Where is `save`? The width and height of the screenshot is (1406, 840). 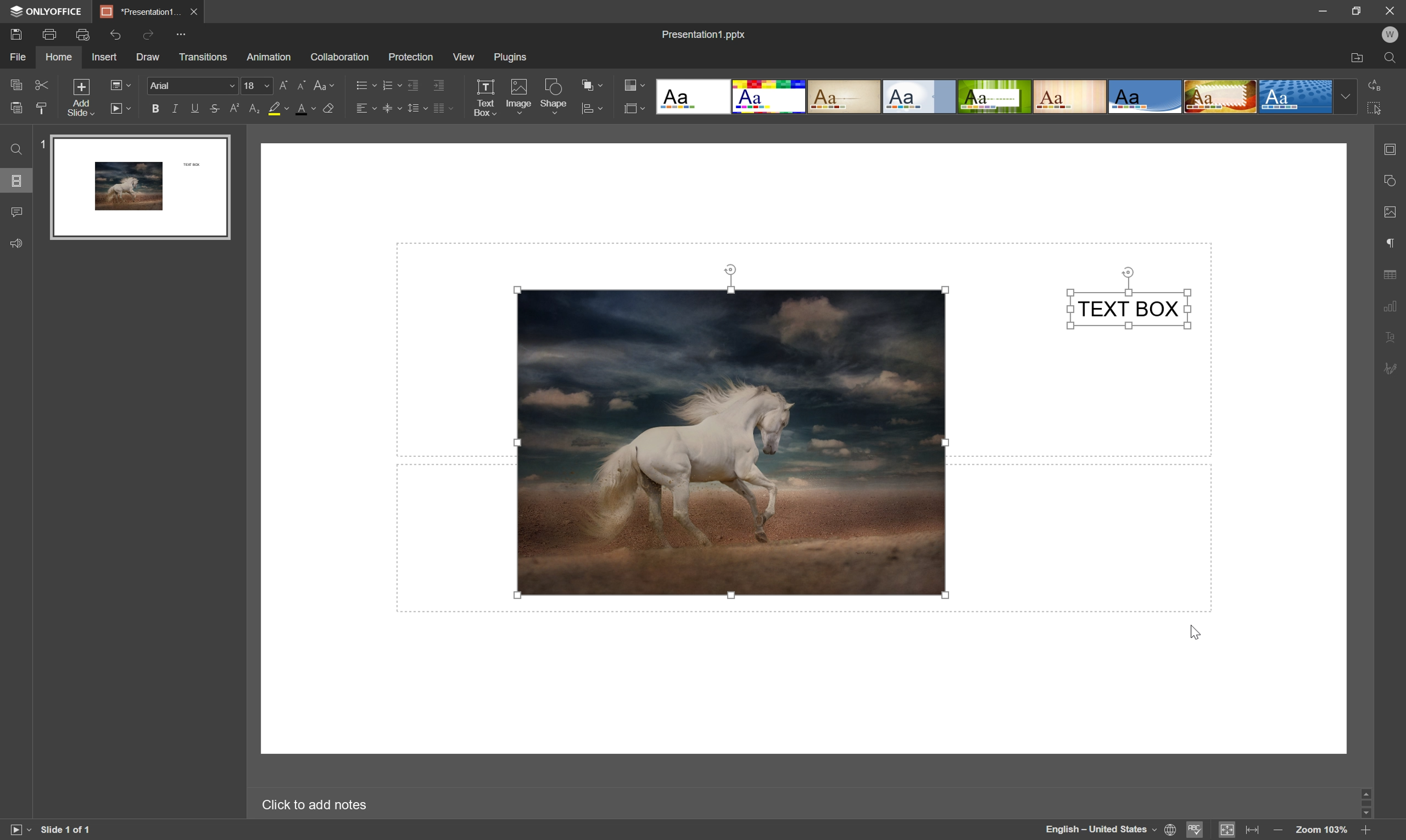
save is located at coordinates (16, 33).